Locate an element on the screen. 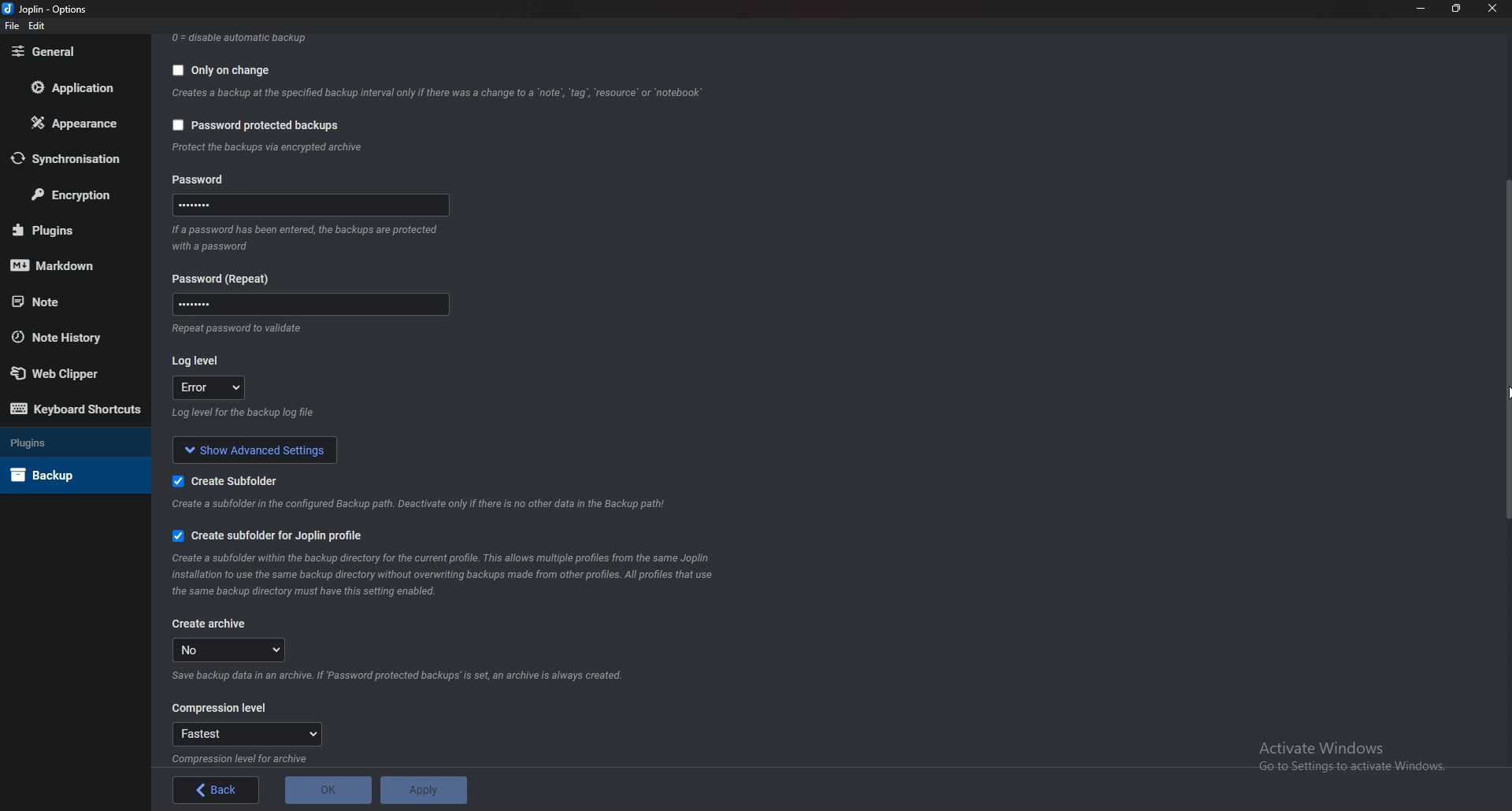  Create sub folder is located at coordinates (230, 480).